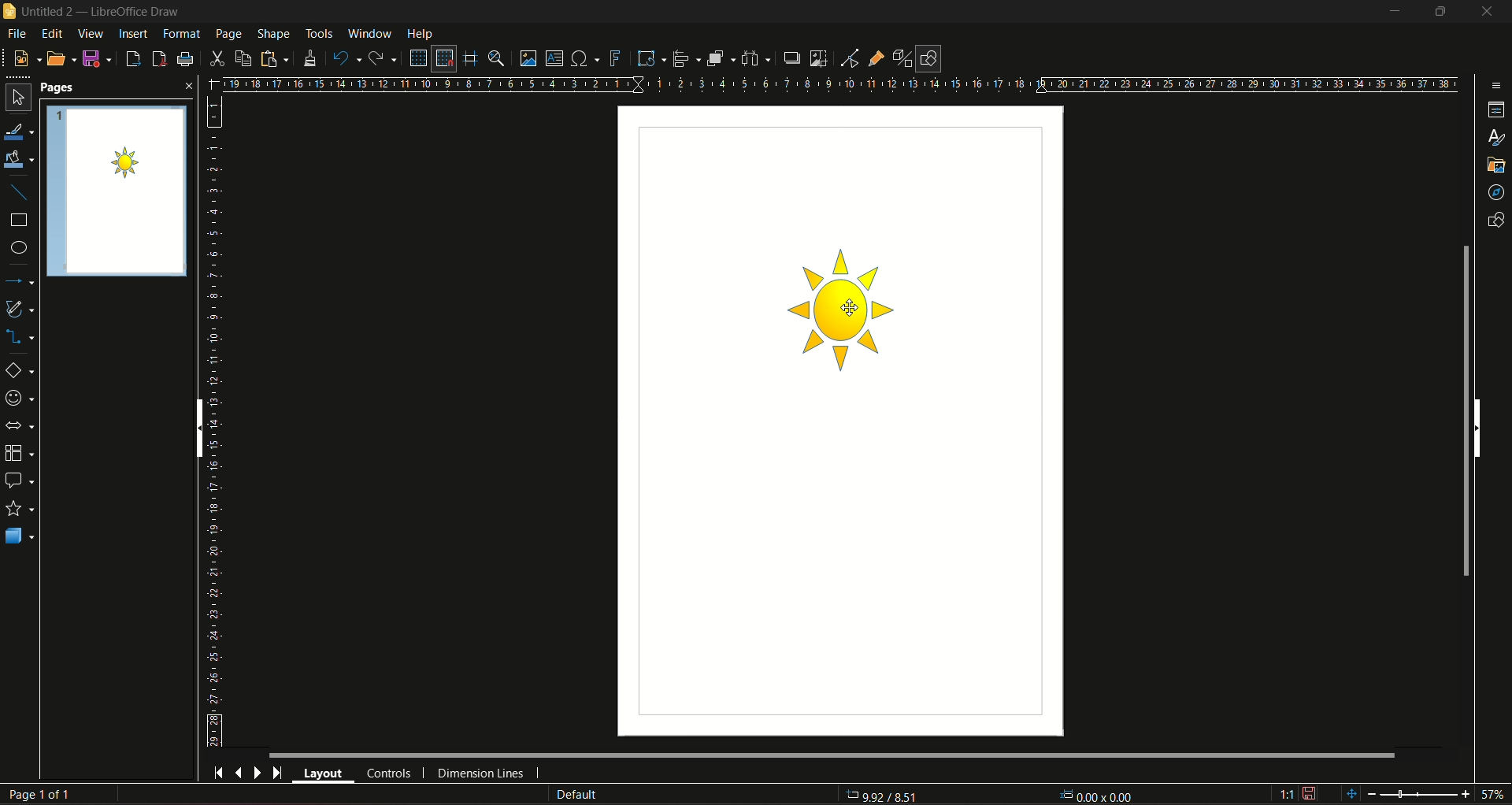 The image size is (1512, 805). What do you see at coordinates (133, 34) in the screenshot?
I see `insert` at bounding box center [133, 34].